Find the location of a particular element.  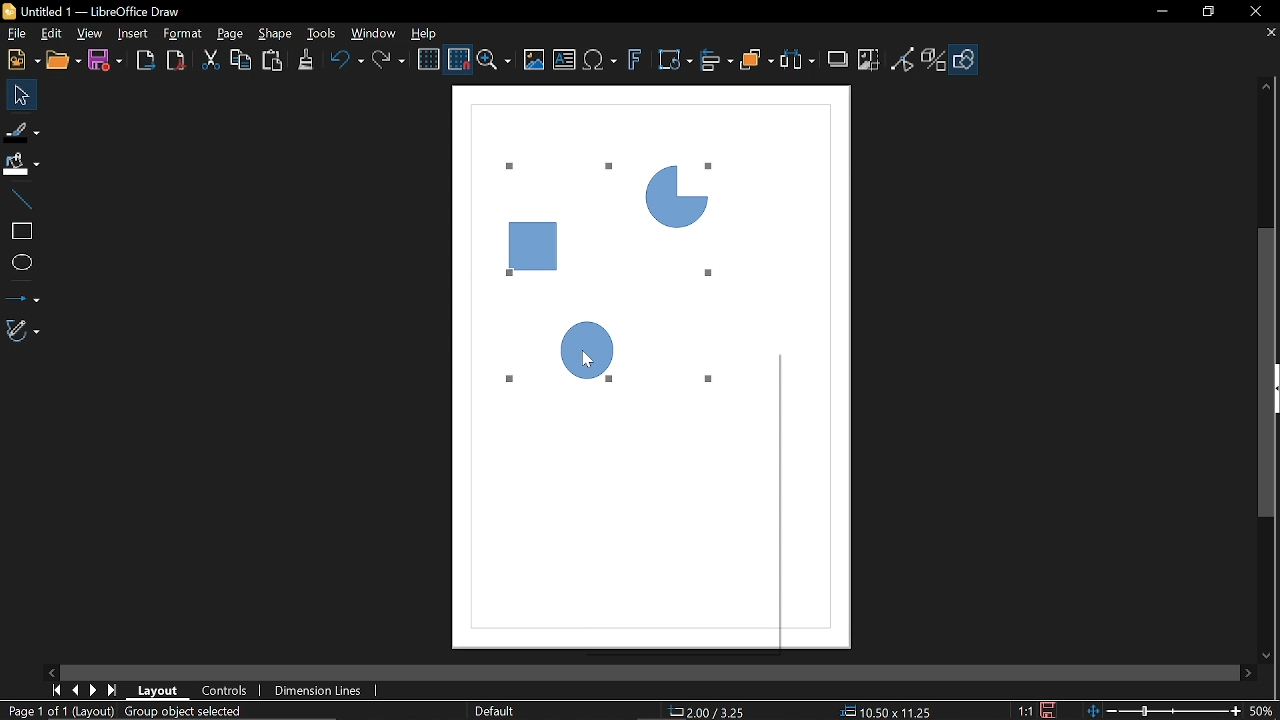

Export is located at coordinates (146, 61).